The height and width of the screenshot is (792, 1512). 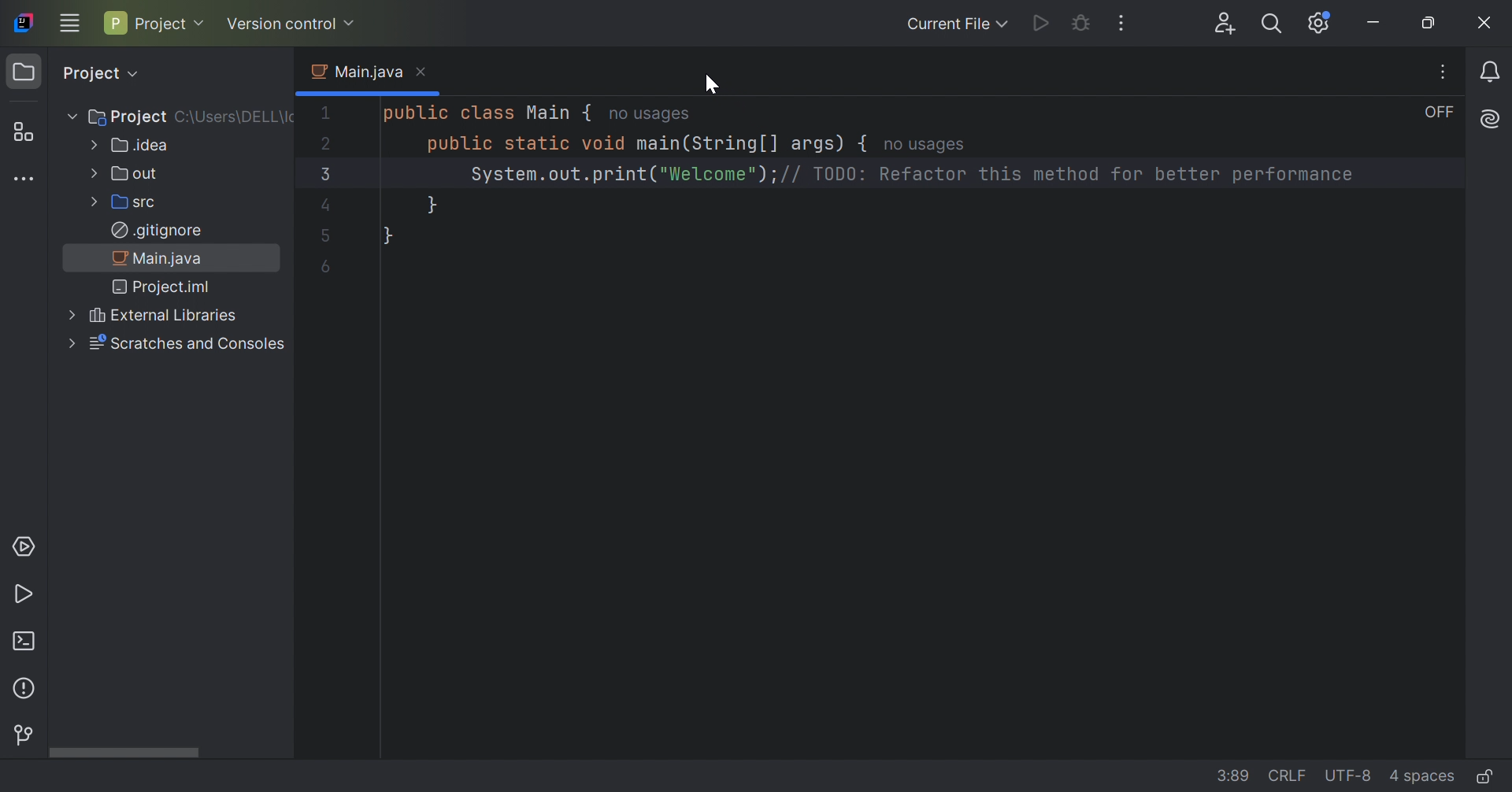 I want to click on More actions, so click(x=1119, y=24).